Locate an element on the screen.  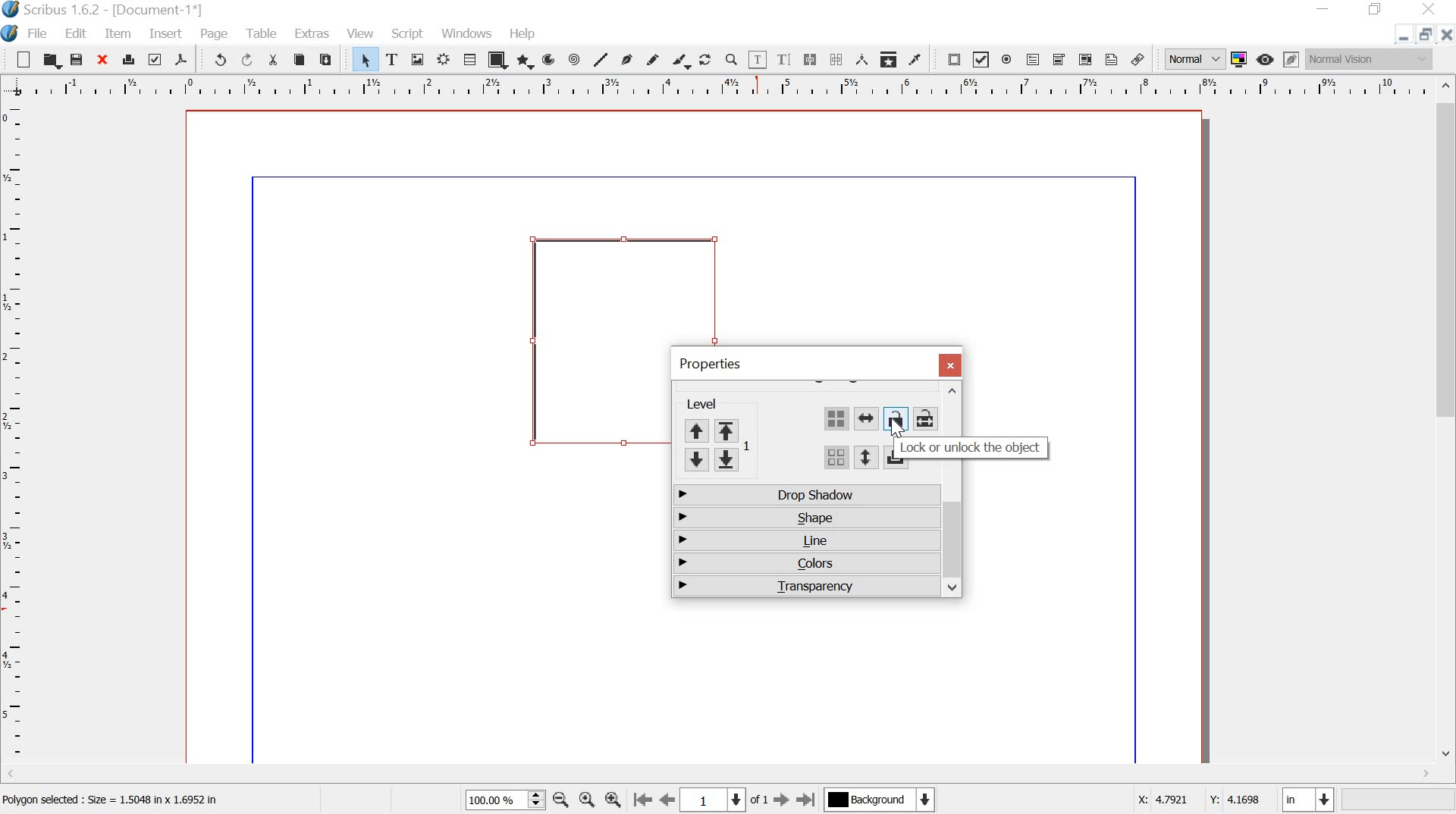
minimize is located at coordinates (1325, 8).